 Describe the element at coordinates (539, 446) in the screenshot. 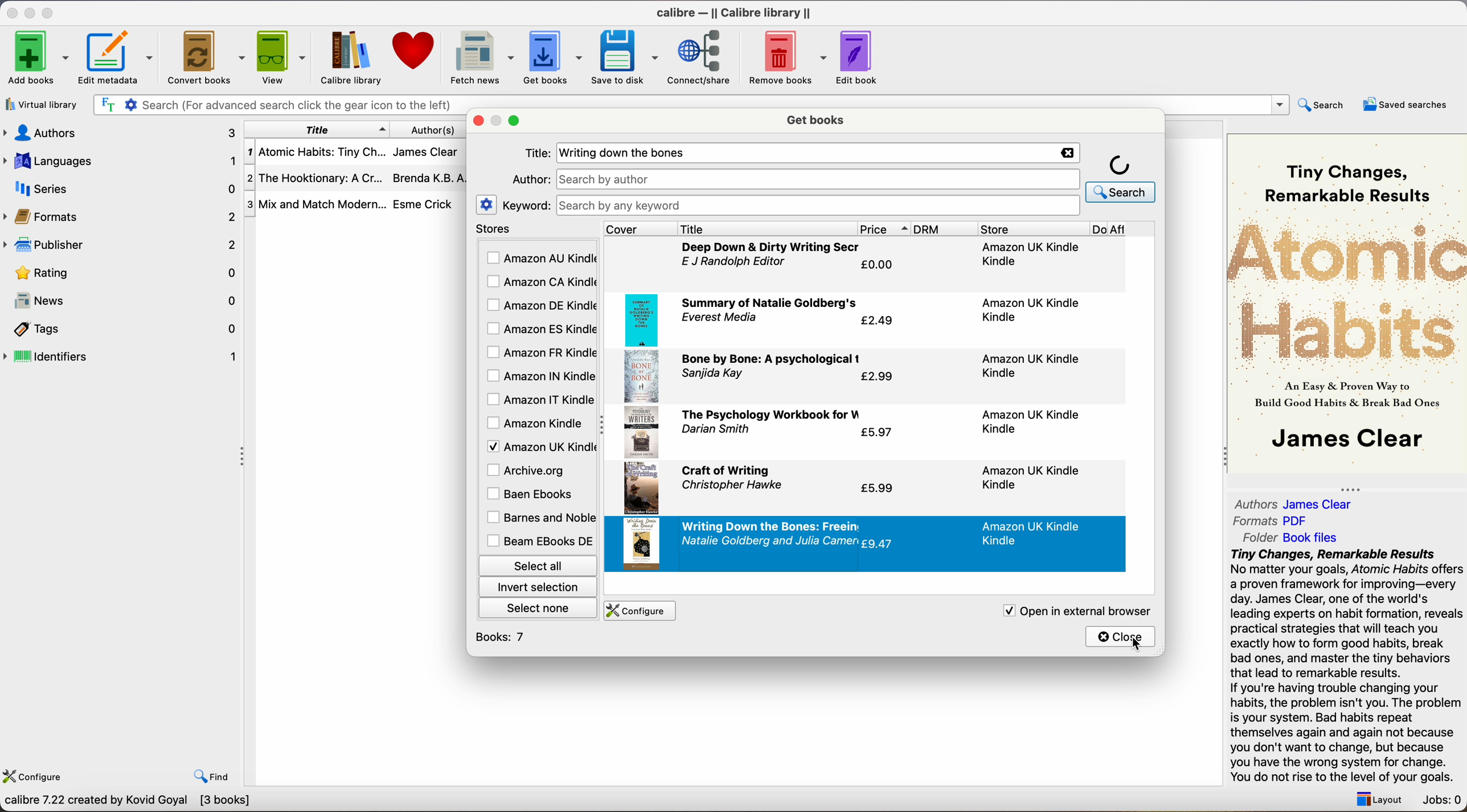

I see `Amazon UK Kindle` at that location.